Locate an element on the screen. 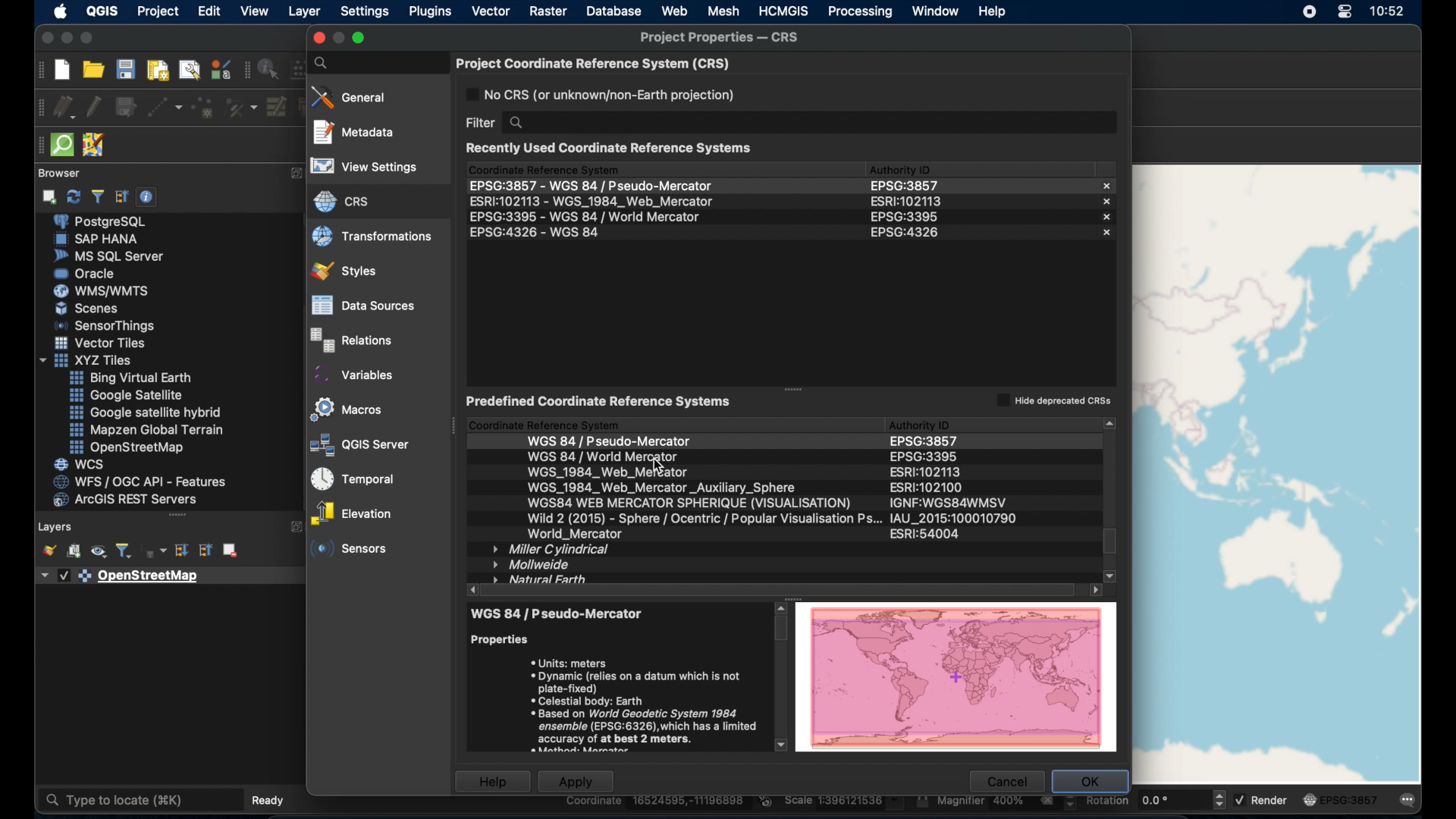  google satellite is located at coordinates (130, 397).